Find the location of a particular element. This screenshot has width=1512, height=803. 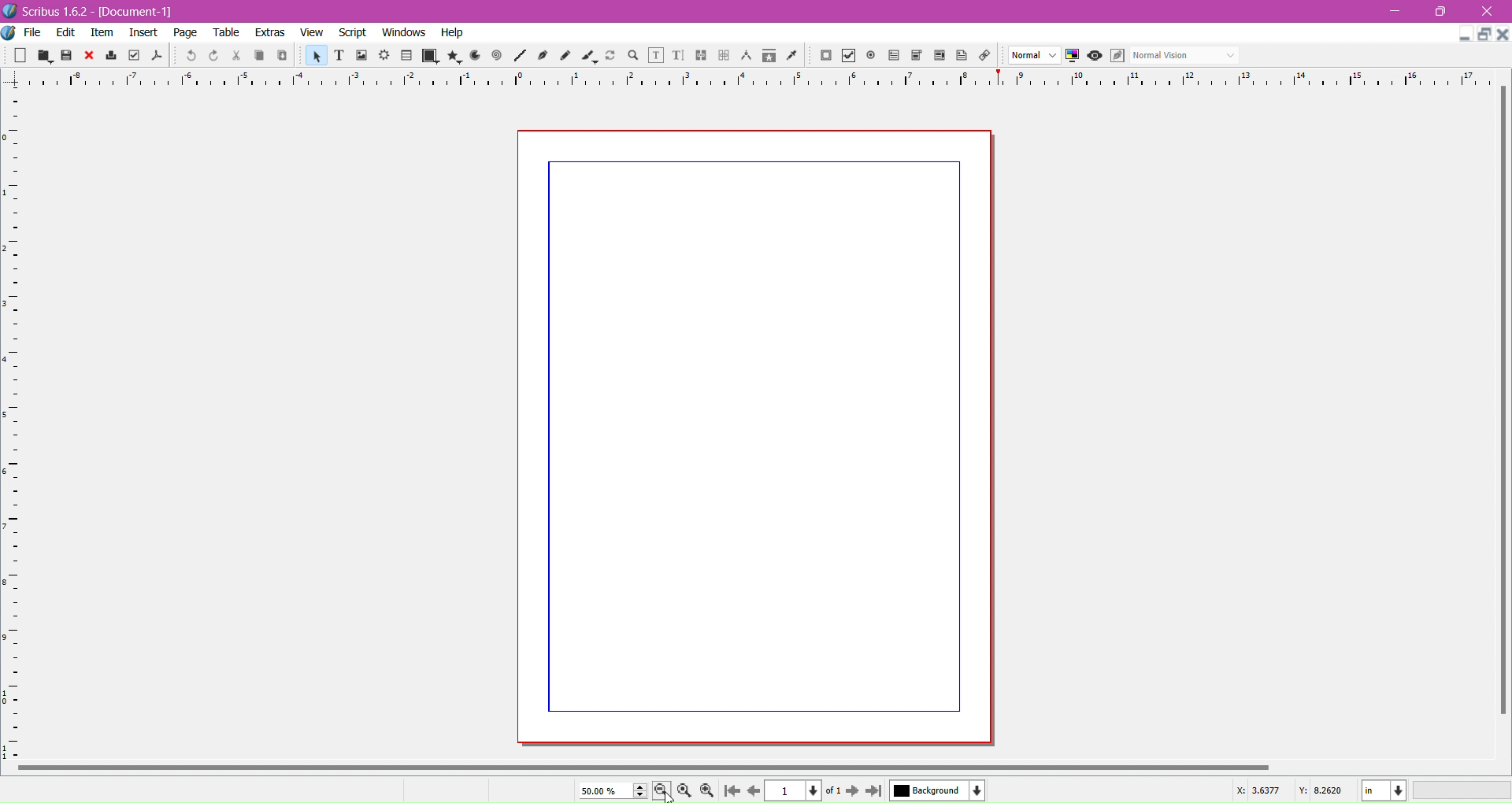

Extras is located at coordinates (268, 33).